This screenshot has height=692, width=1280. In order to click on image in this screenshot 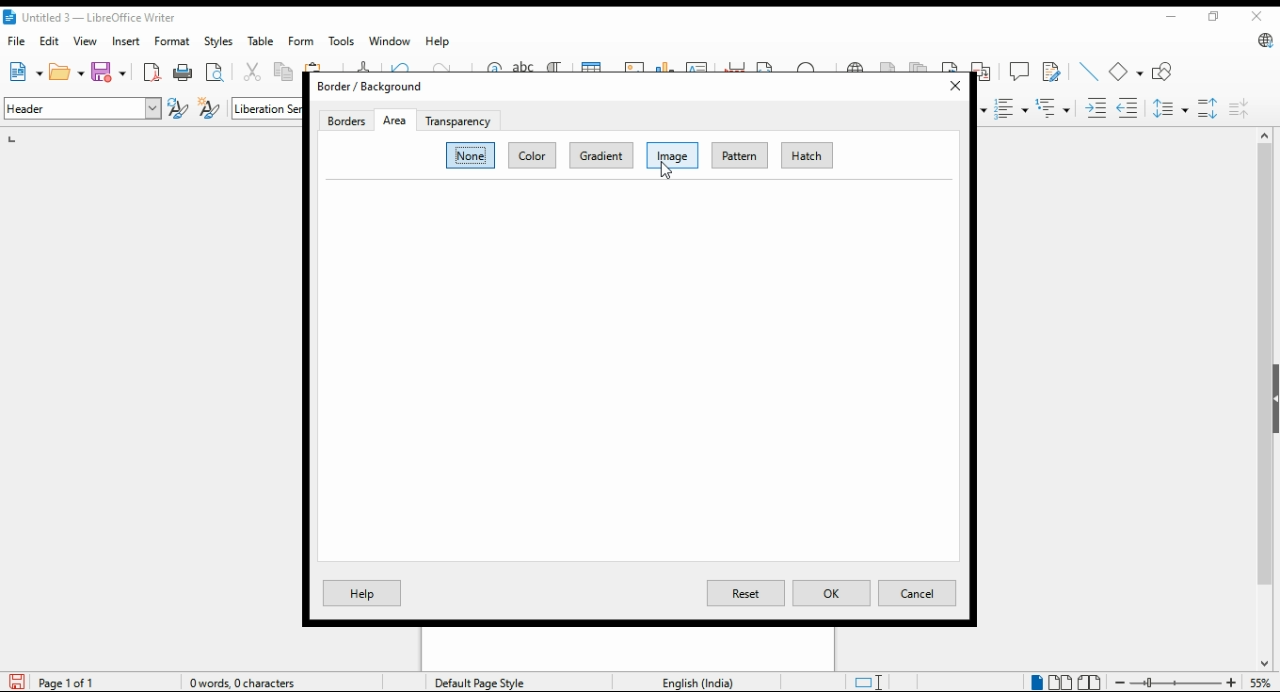, I will do `click(674, 156)`.